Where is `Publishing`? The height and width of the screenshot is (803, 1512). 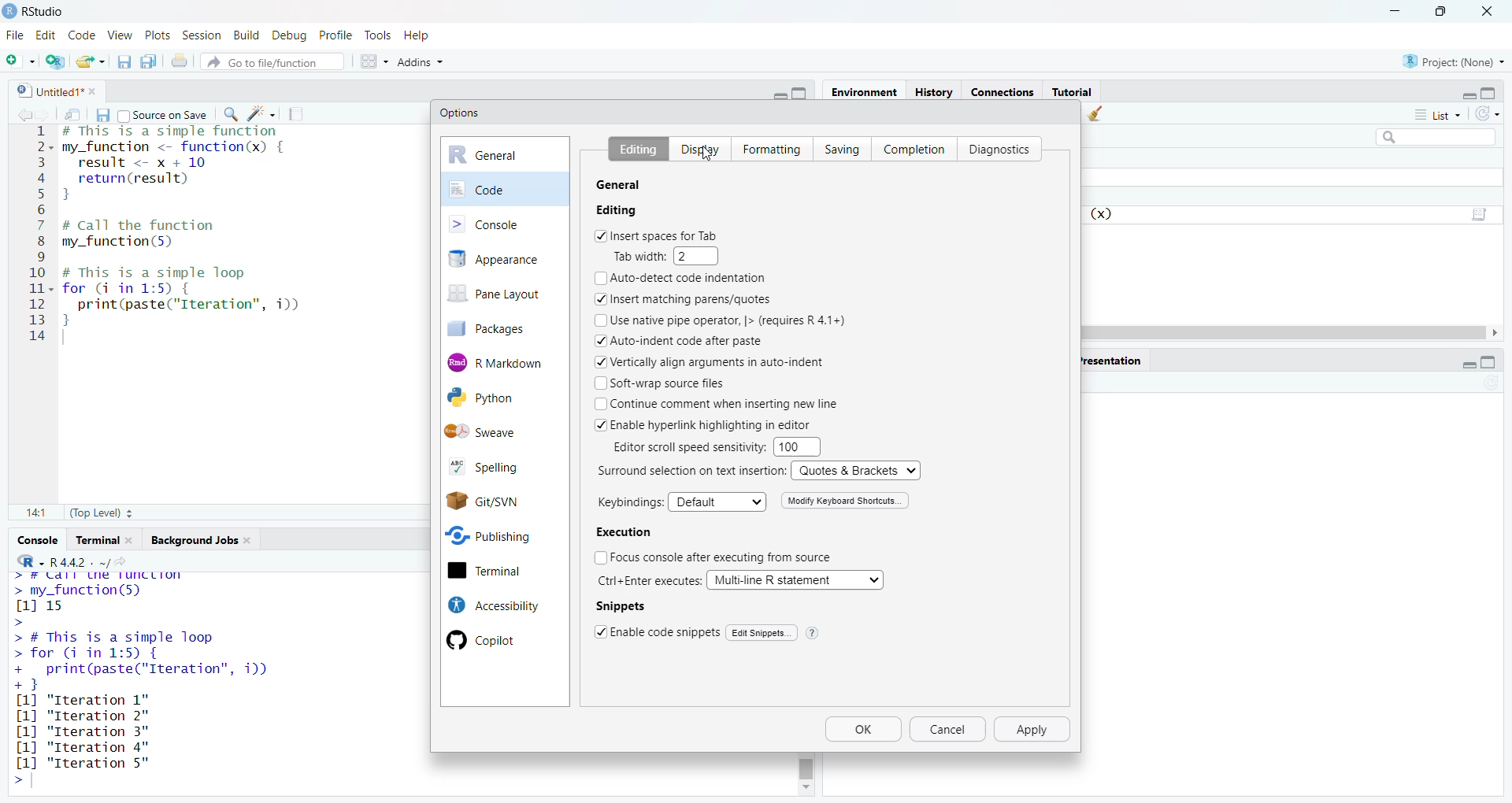 Publishing is located at coordinates (501, 534).